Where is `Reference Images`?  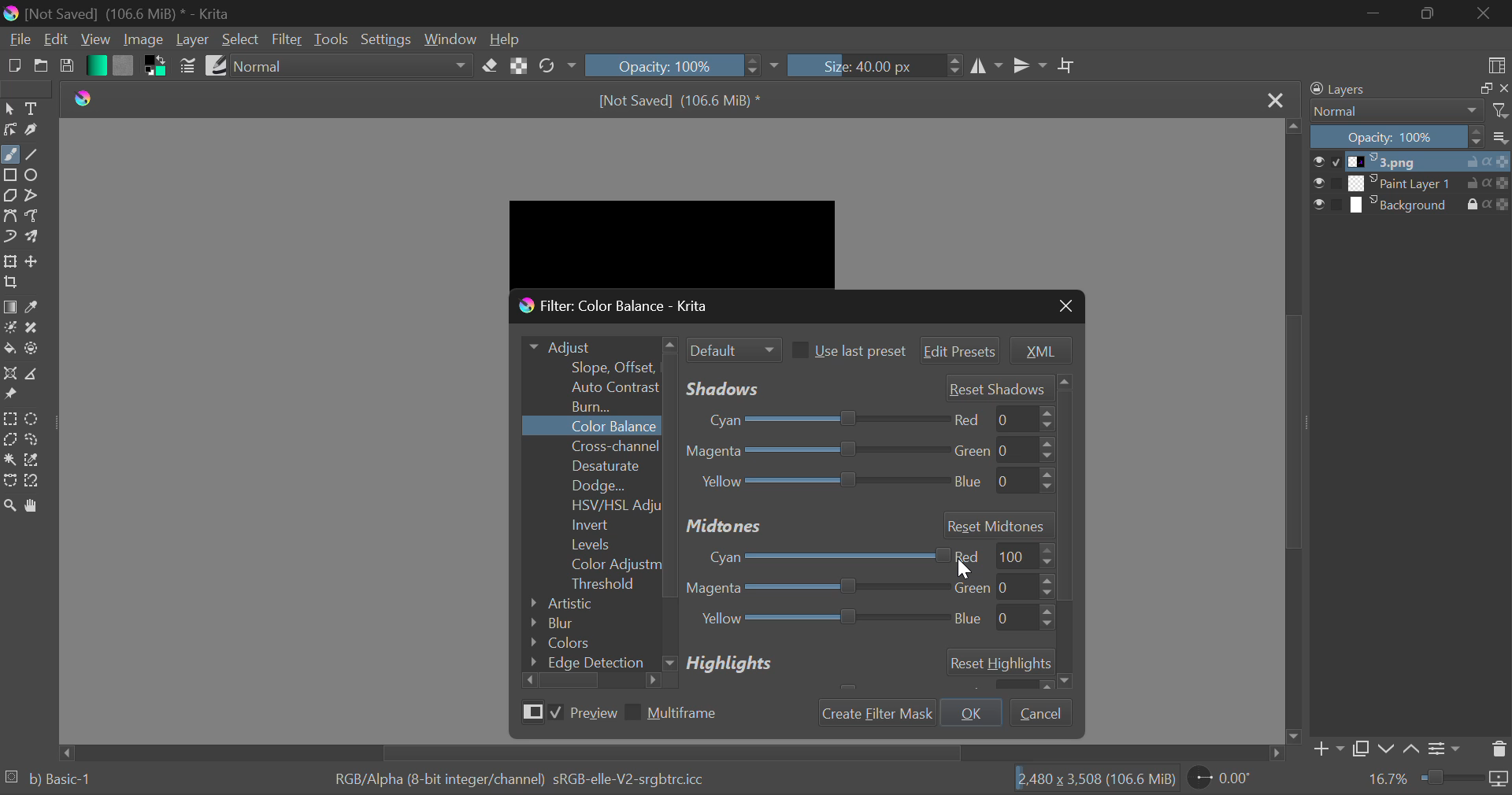 Reference Images is located at coordinates (13, 397).